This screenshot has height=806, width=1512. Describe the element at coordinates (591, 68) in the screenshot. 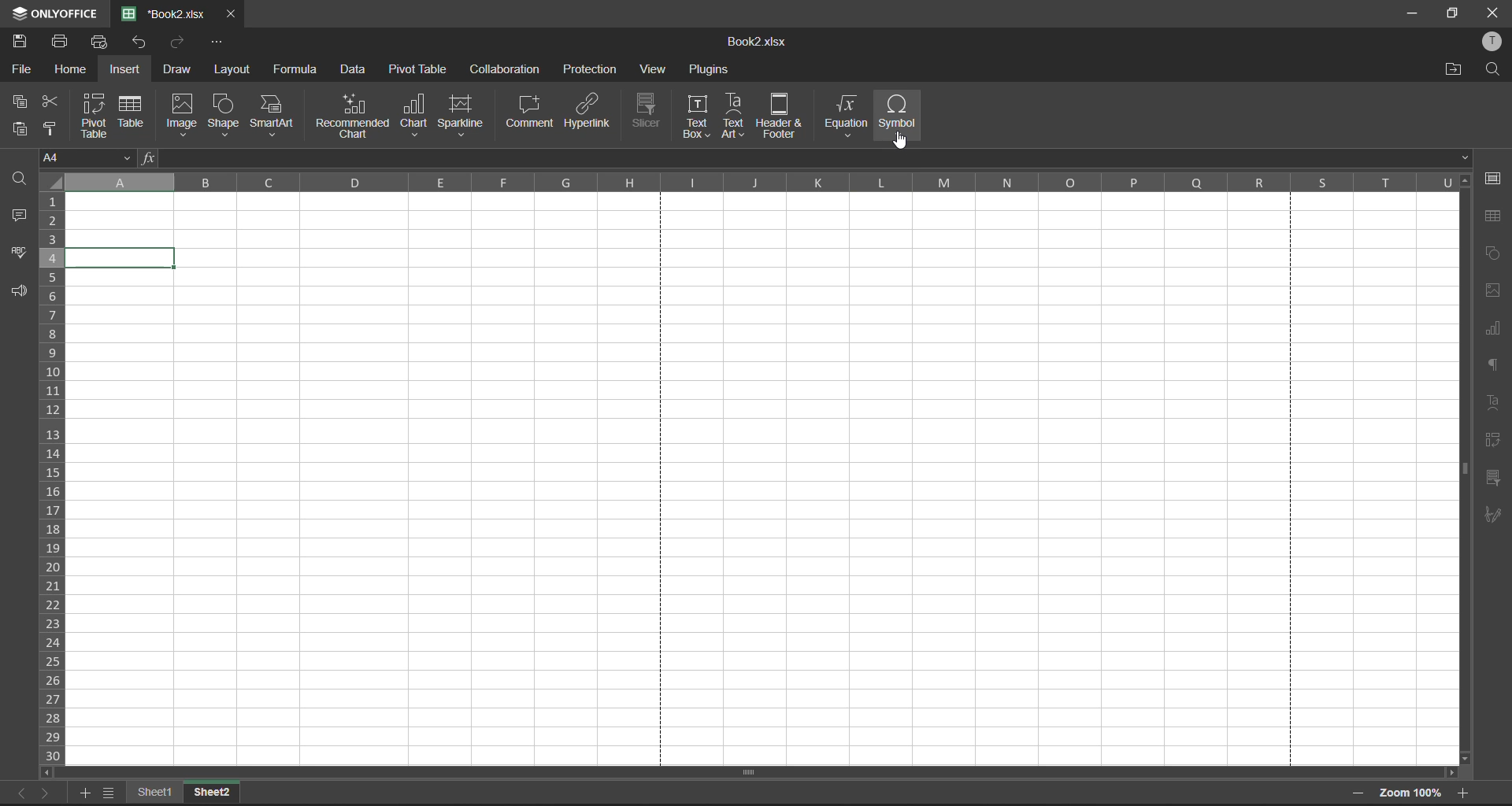

I see `protection` at that location.